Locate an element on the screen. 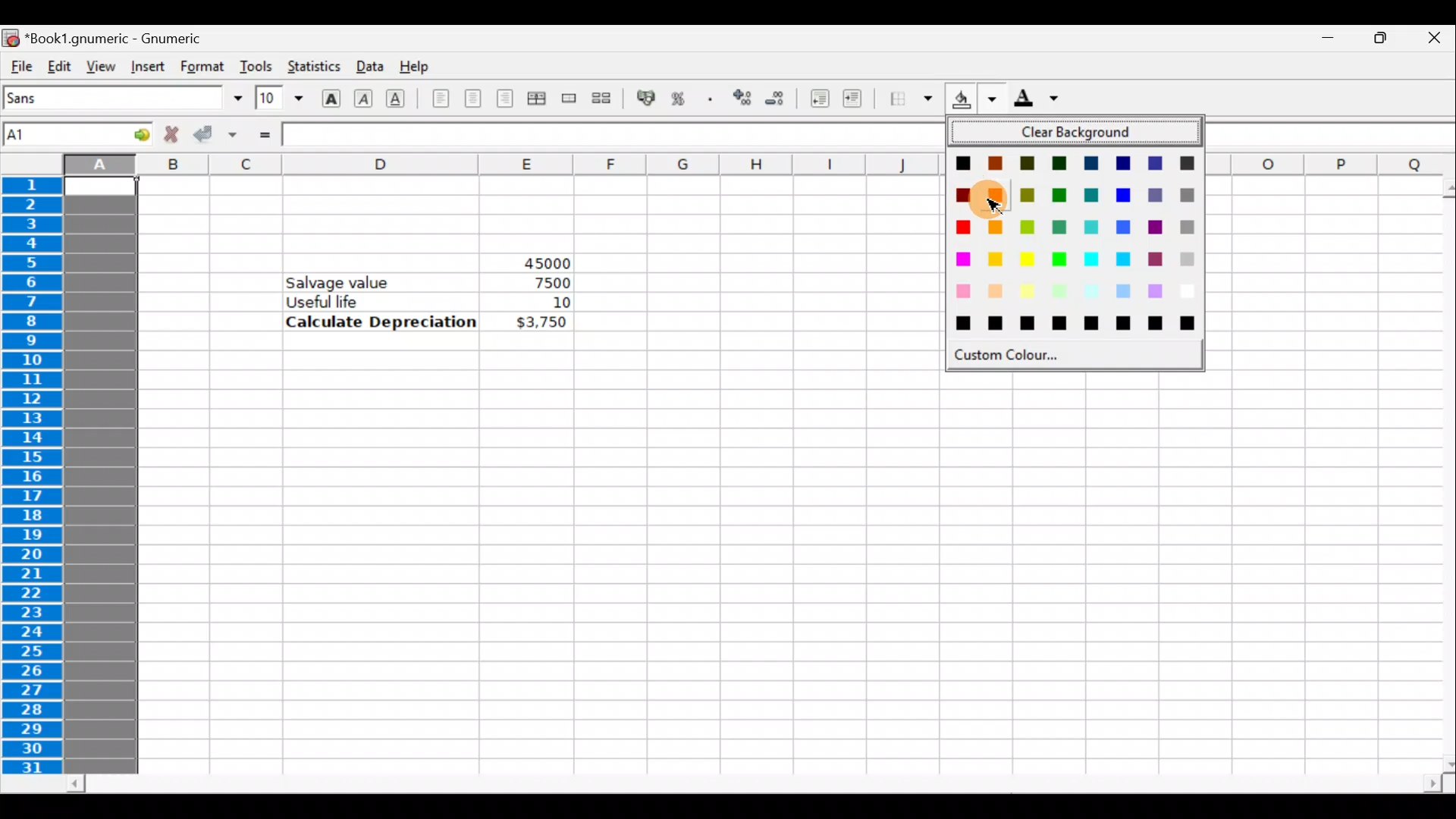 Image resolution: width=1456 pixels, height=819 pixels. Maximize is located at coordinates (1377, 42).